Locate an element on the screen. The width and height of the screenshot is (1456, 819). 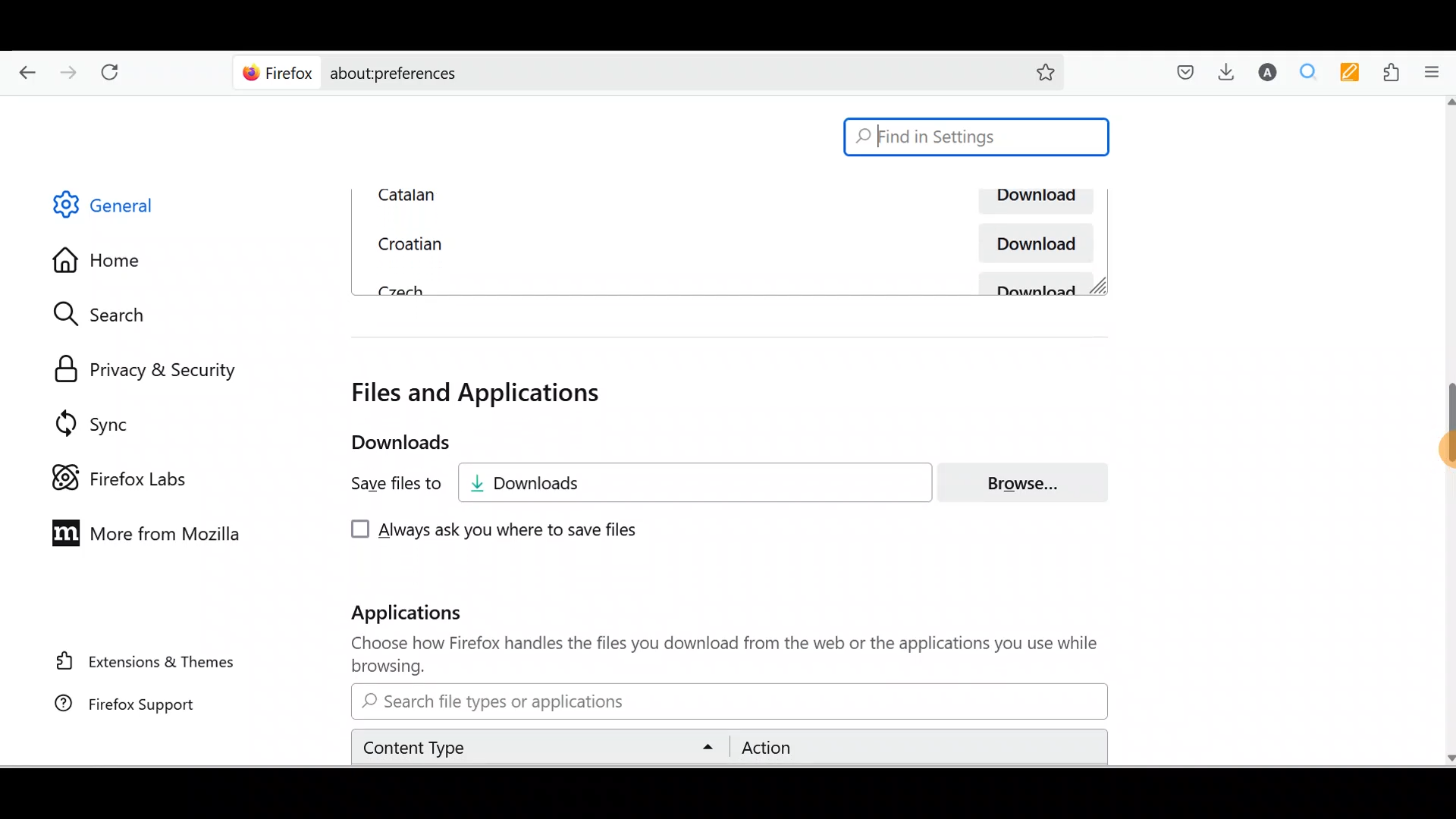
Download is located at coordinates (1032, 202).